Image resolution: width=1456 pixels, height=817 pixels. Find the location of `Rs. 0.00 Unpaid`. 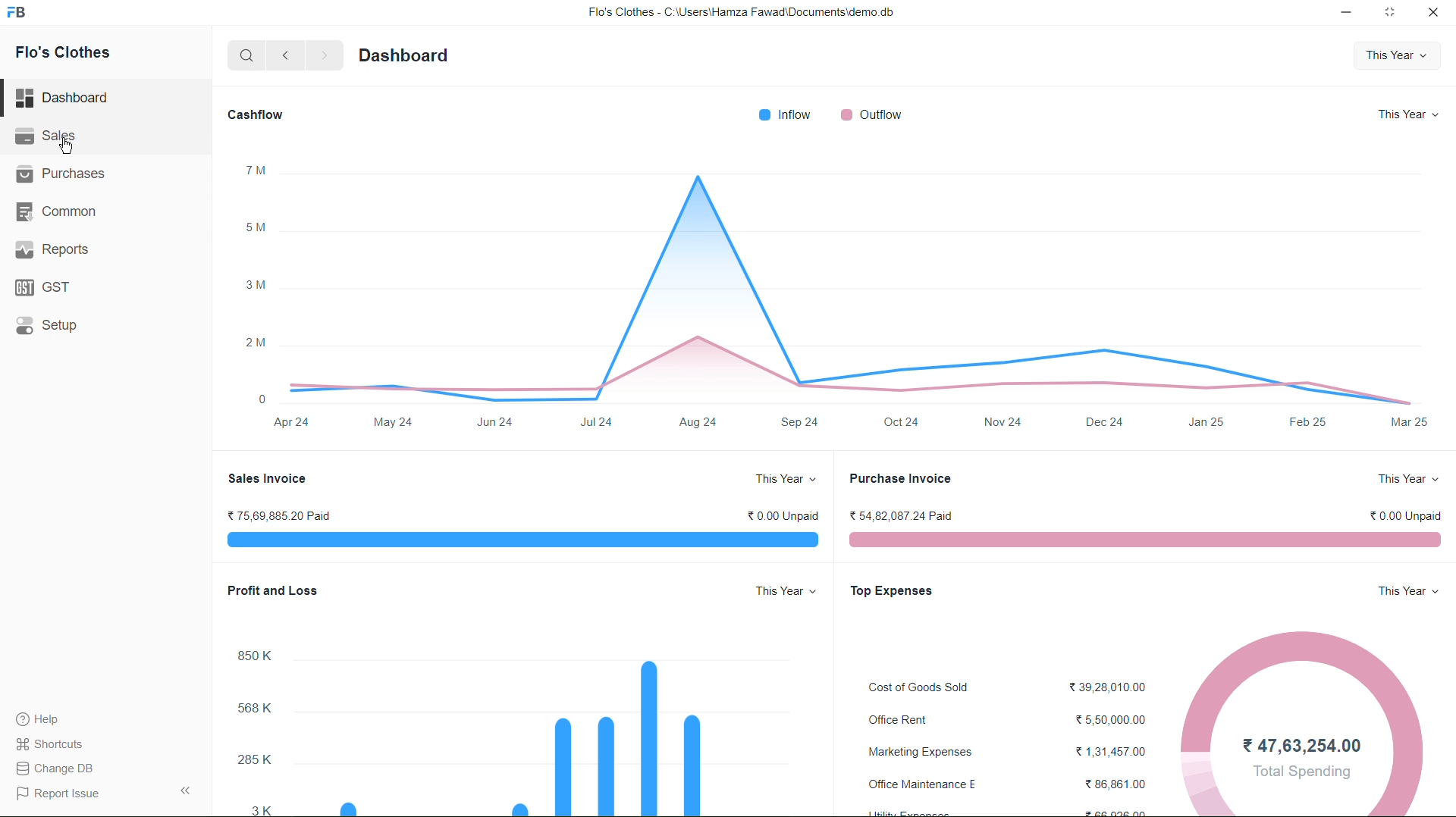

Rs. 0.00 Unpaid is located at coordinates (1398, 514).